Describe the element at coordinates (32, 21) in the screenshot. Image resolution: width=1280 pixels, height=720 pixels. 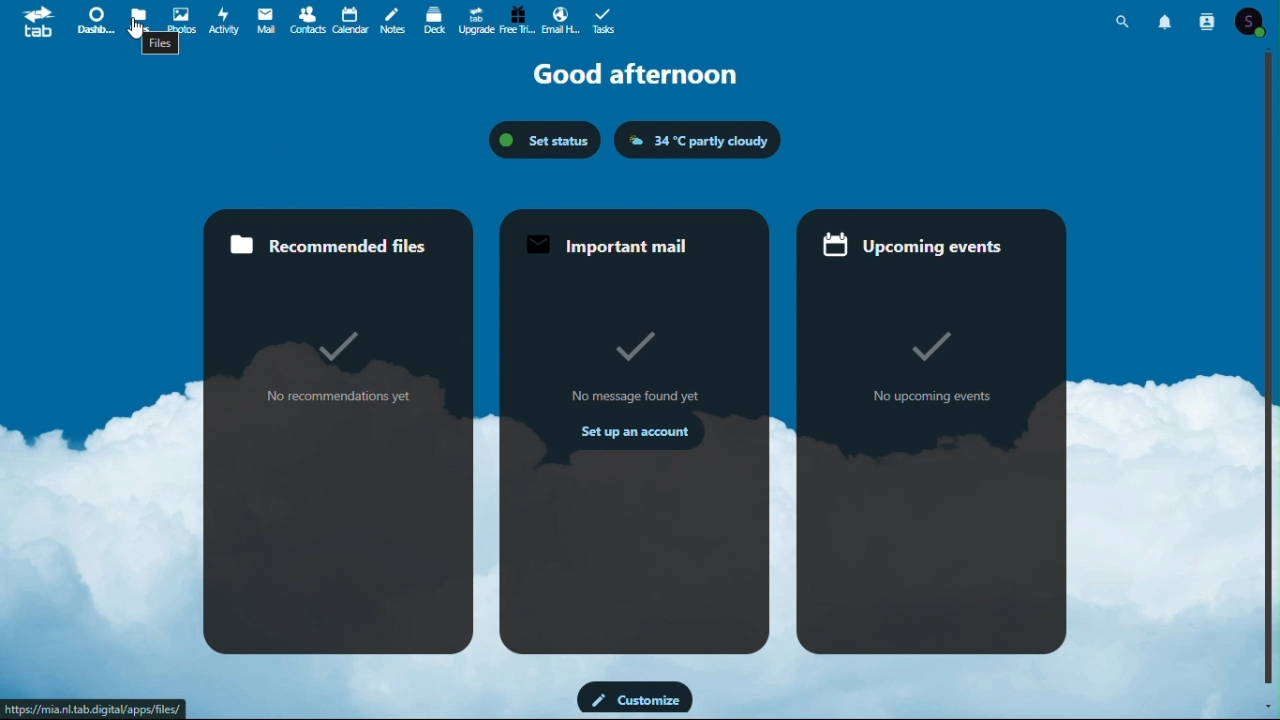
I see `tab` at that location.